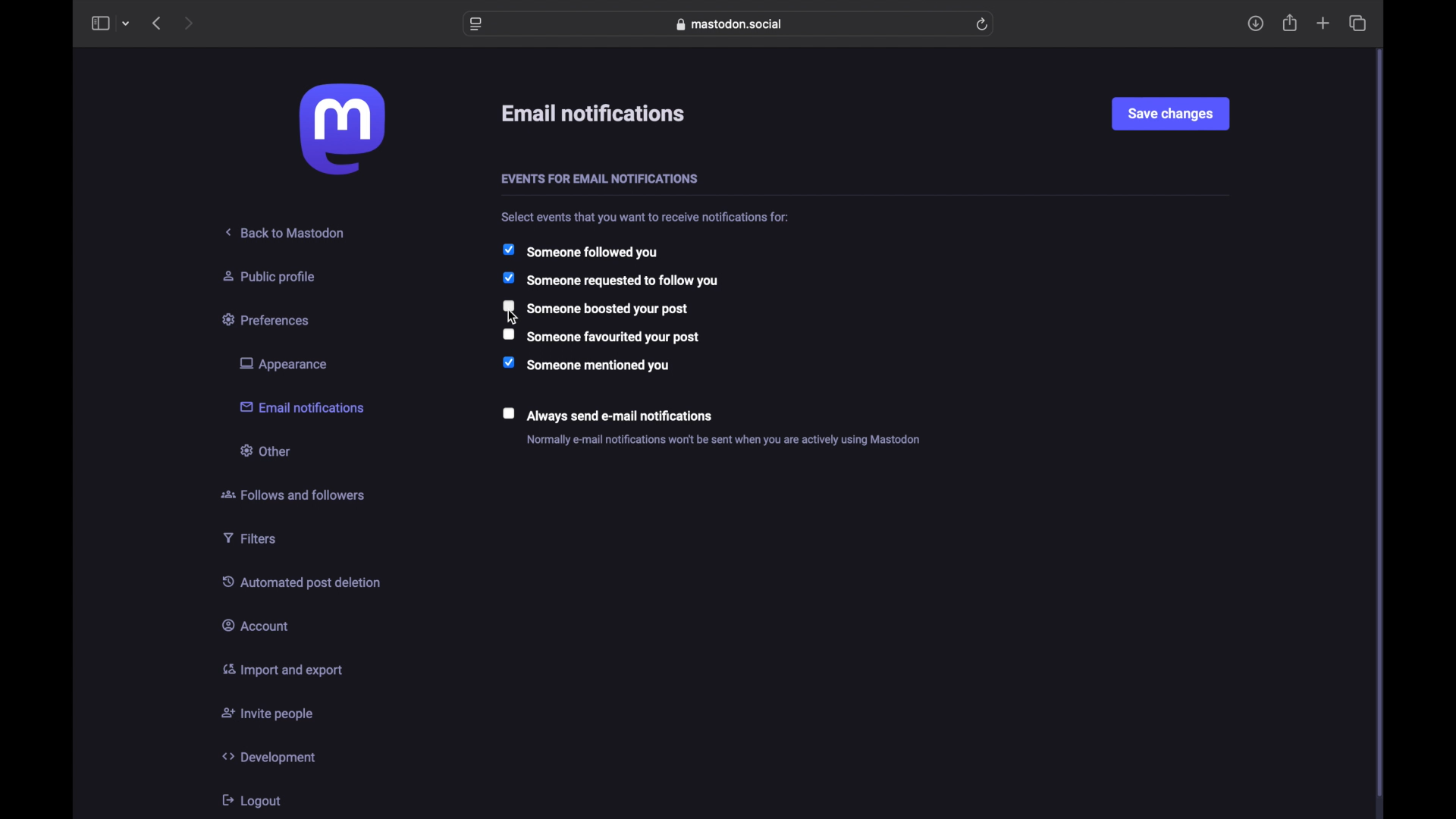 The image size is (1456, 819). Describe the element at coordinates (610, 280) in the screenshot. I see `checkbox` at that location.